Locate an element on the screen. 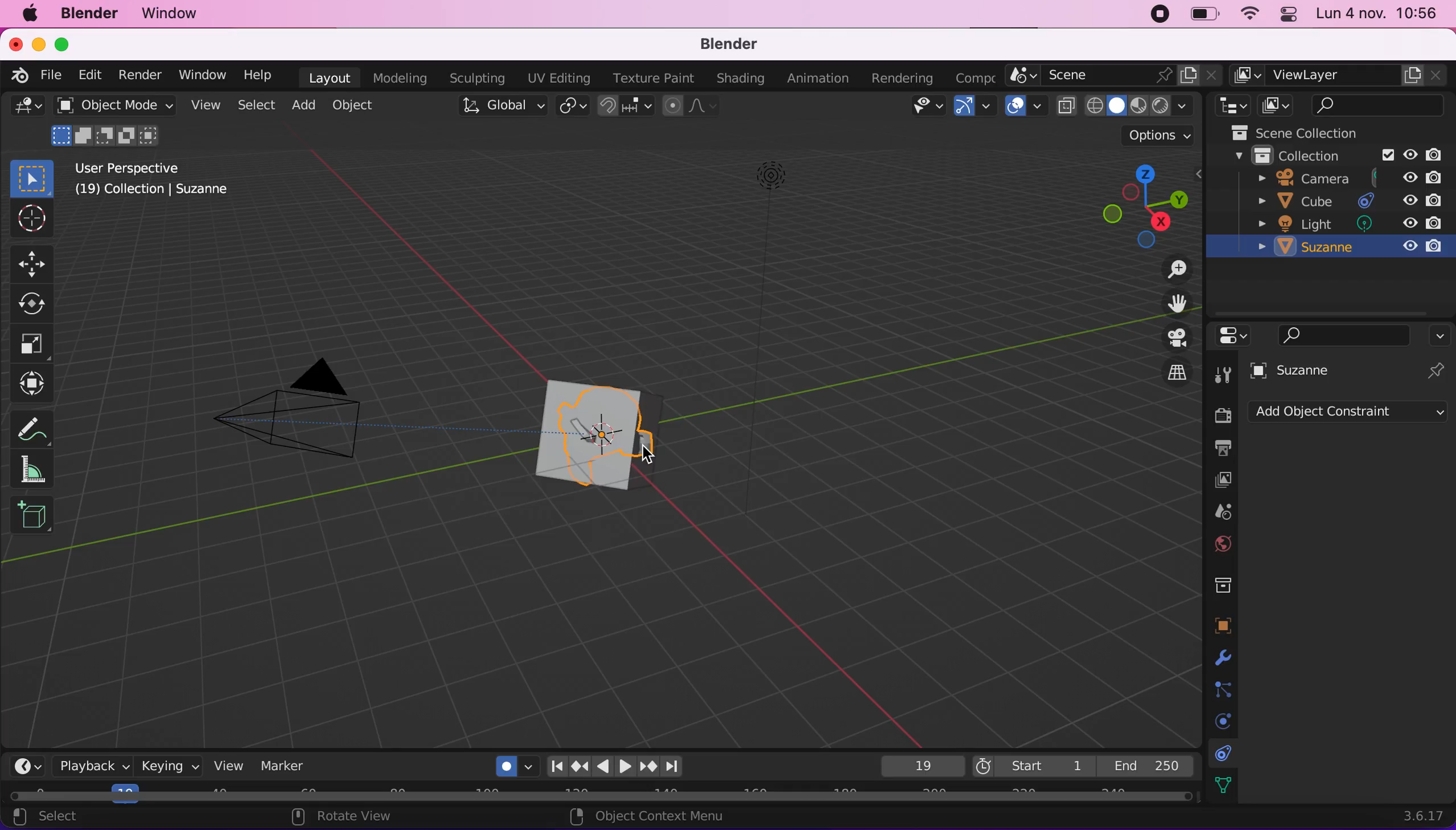 This screenshot has width=1456, height=830. view is located at coordinates (203, 105).